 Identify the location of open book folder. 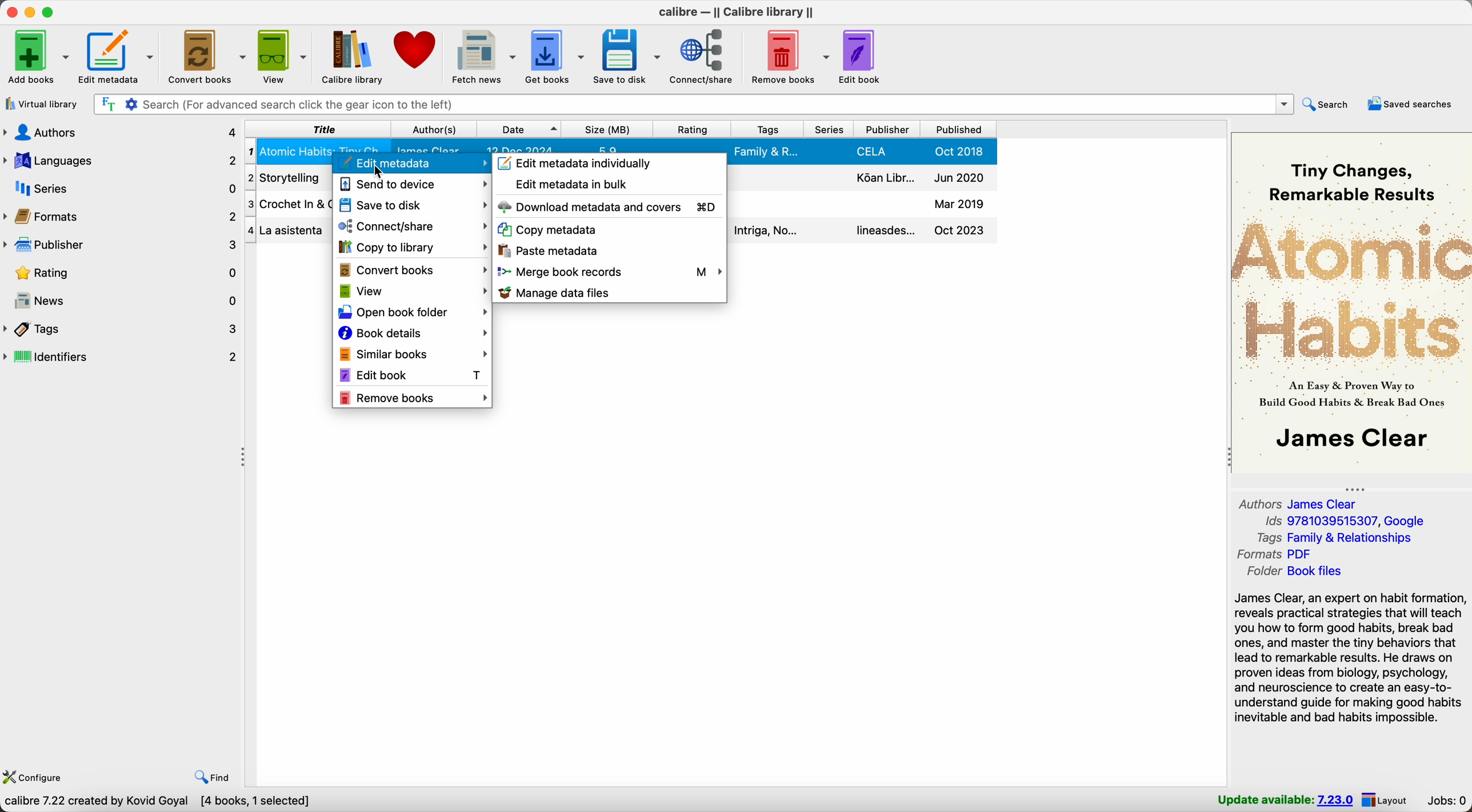
(413, 311).